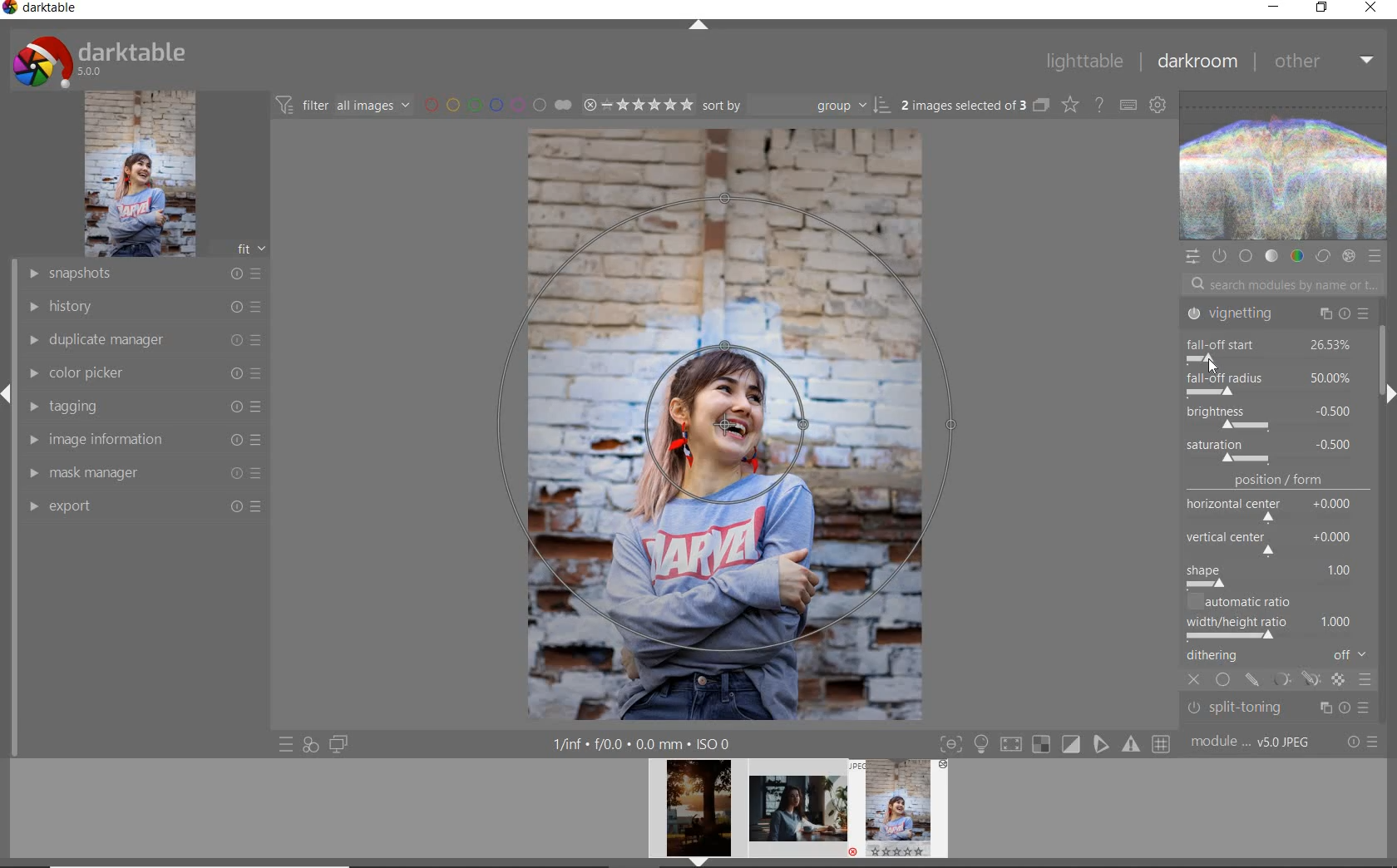  Describe the element at coordinates (140, 405) in the screenshot. I see `tagging` at that location.